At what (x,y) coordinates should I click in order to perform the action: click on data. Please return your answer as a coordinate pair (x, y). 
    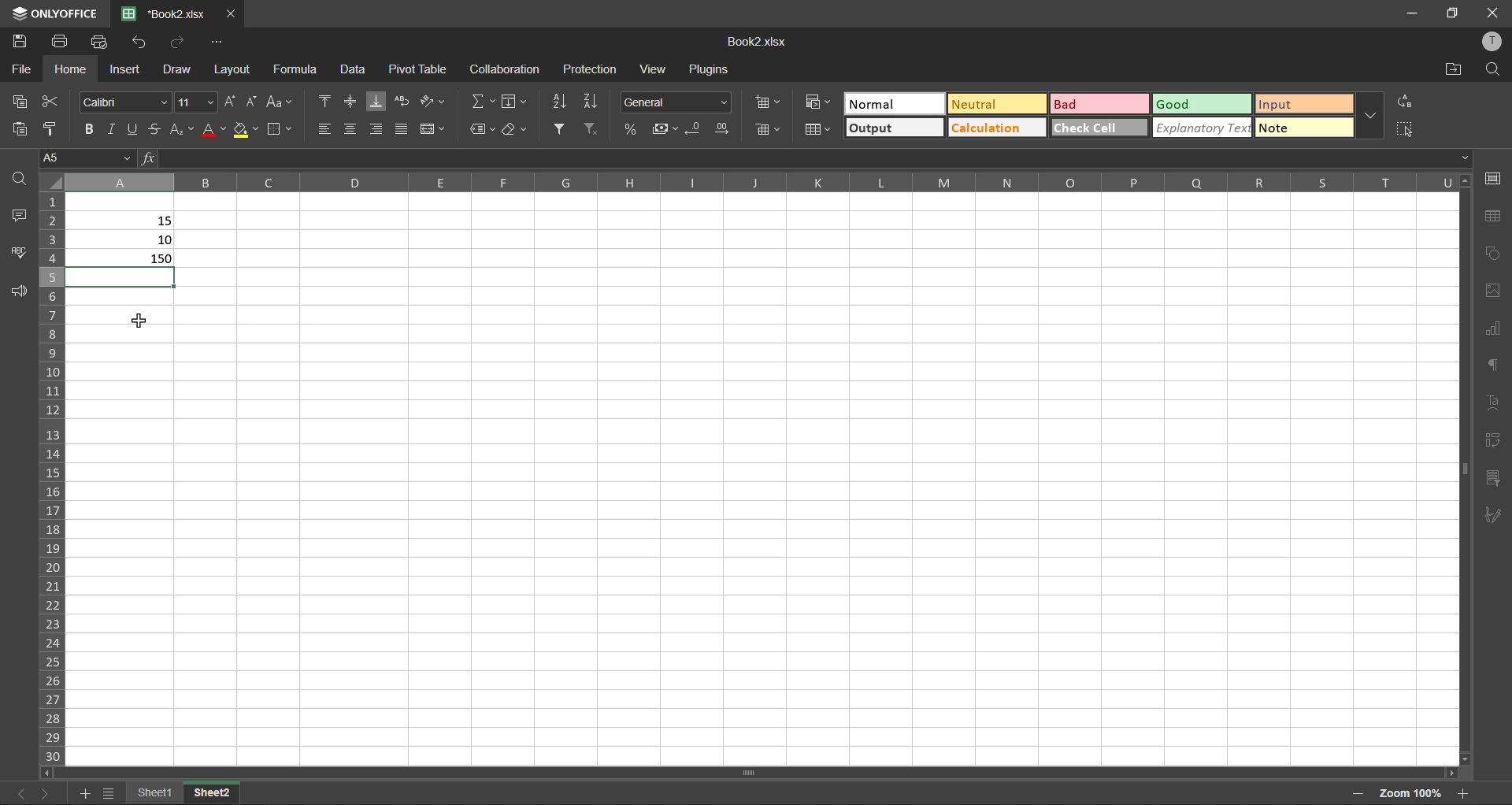
    Looking at the image, I should click on (351, 69).